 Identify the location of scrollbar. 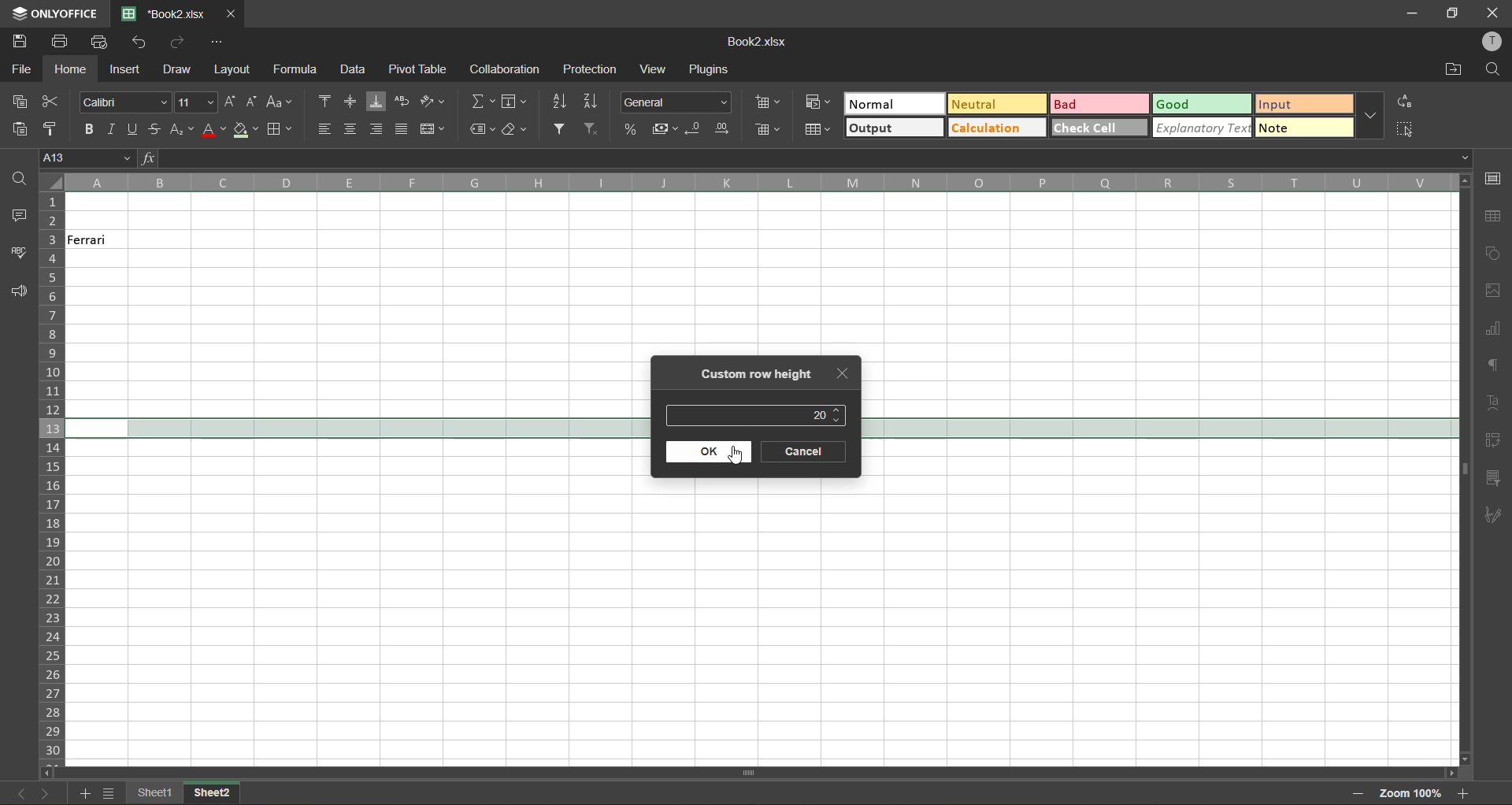
(748, 773).